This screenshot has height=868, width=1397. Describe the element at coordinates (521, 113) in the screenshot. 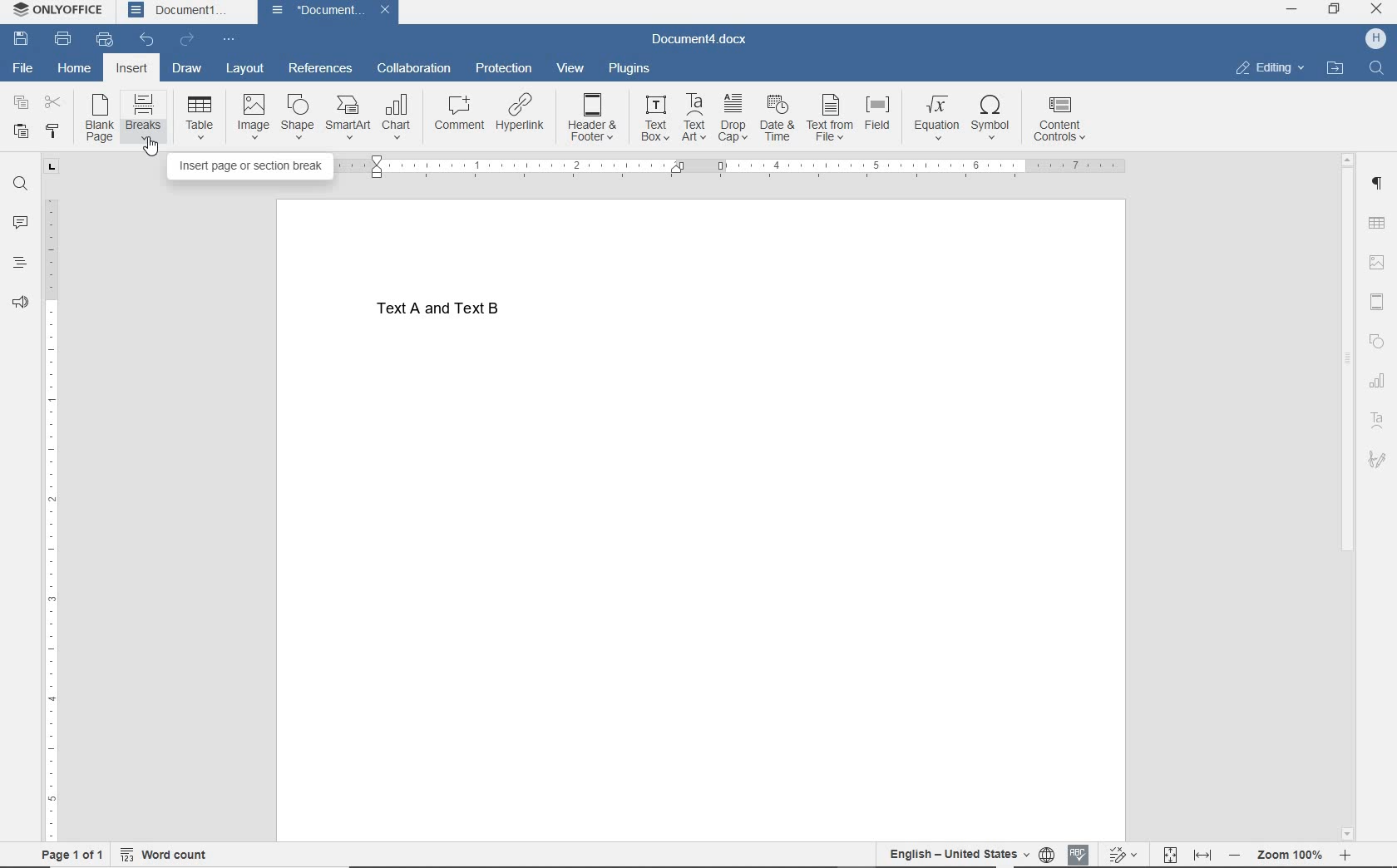

I see `HYPERLINK` at that location.